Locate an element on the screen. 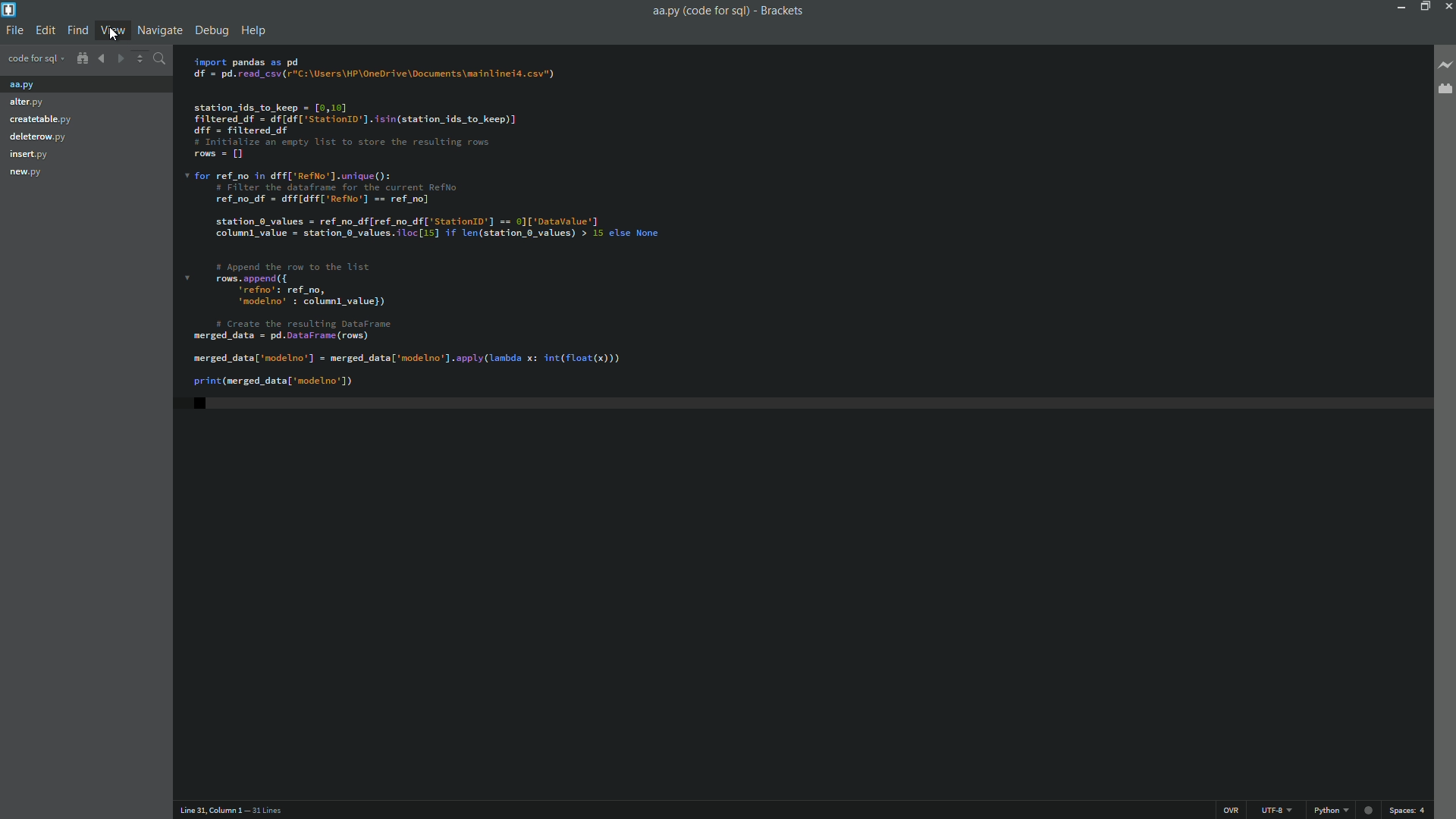 This screenshot has width=1456, height=819. Live preview  is located at coordinates (1368, 810).